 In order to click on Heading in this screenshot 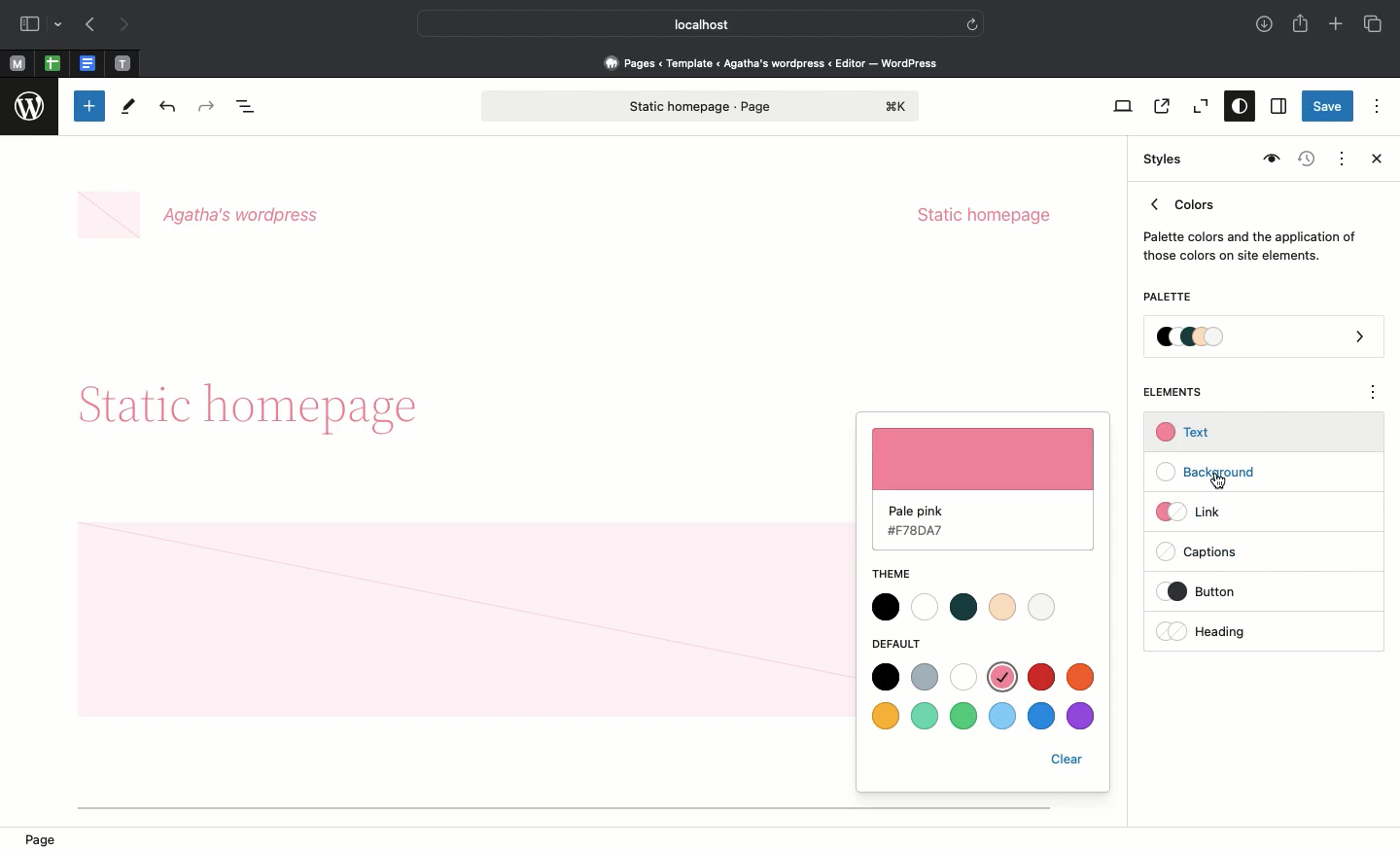, I will do `click(1206, 631)`.